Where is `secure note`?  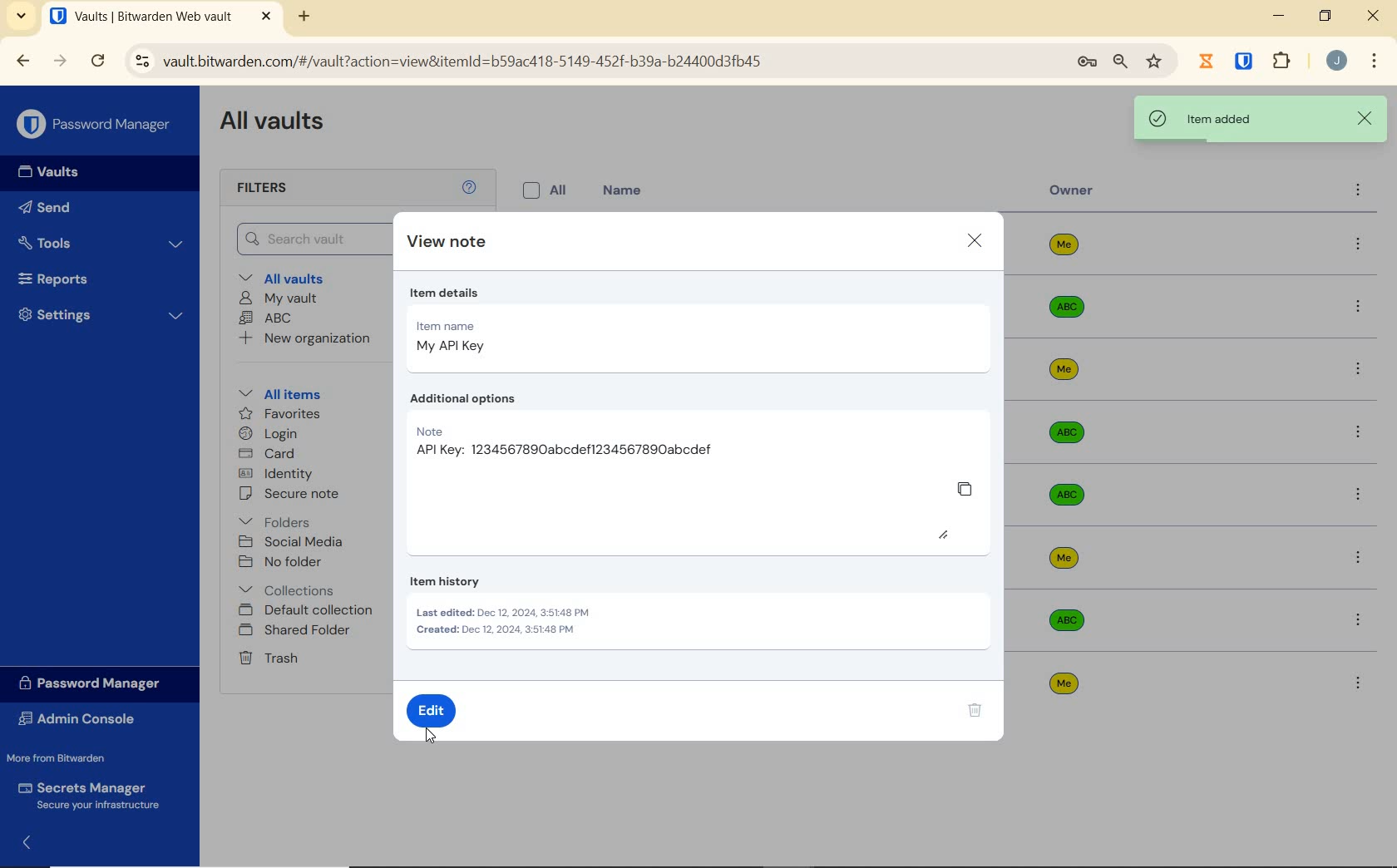 secure note is located at coordinates (304, 496).